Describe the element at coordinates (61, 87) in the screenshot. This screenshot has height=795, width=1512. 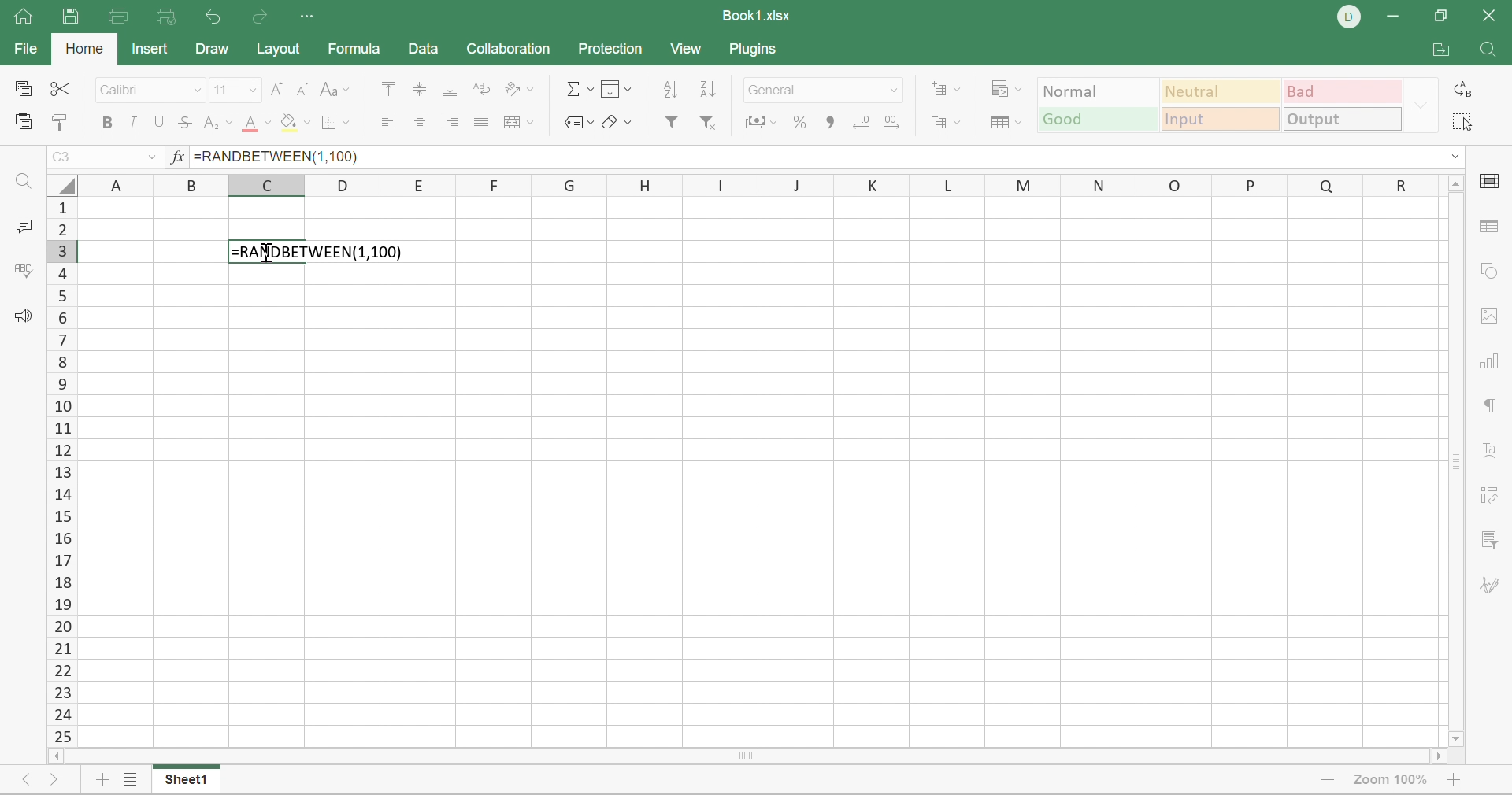
I see `Cut` at that location.